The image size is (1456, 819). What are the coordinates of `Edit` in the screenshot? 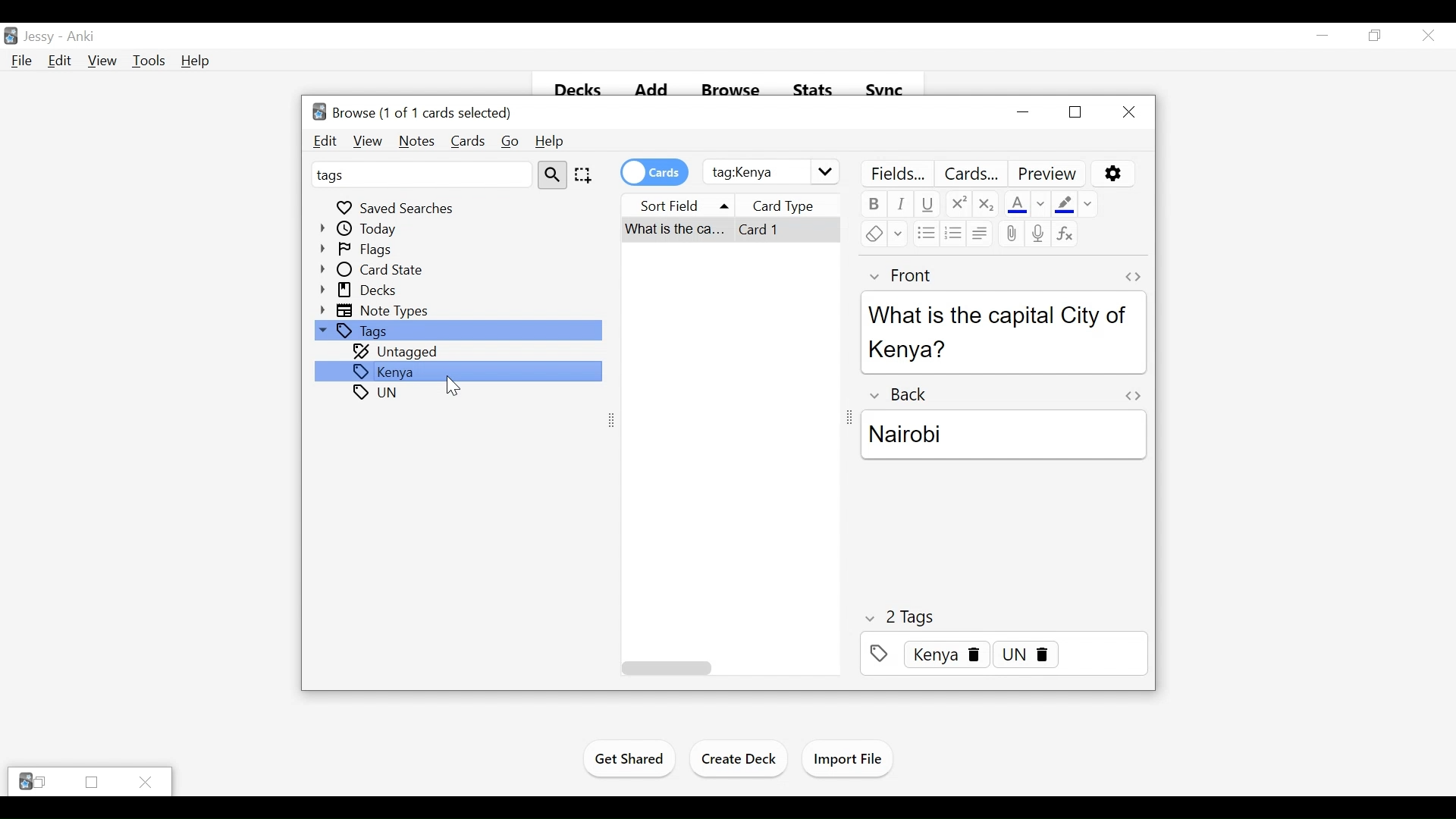 It's located at (326, 142).